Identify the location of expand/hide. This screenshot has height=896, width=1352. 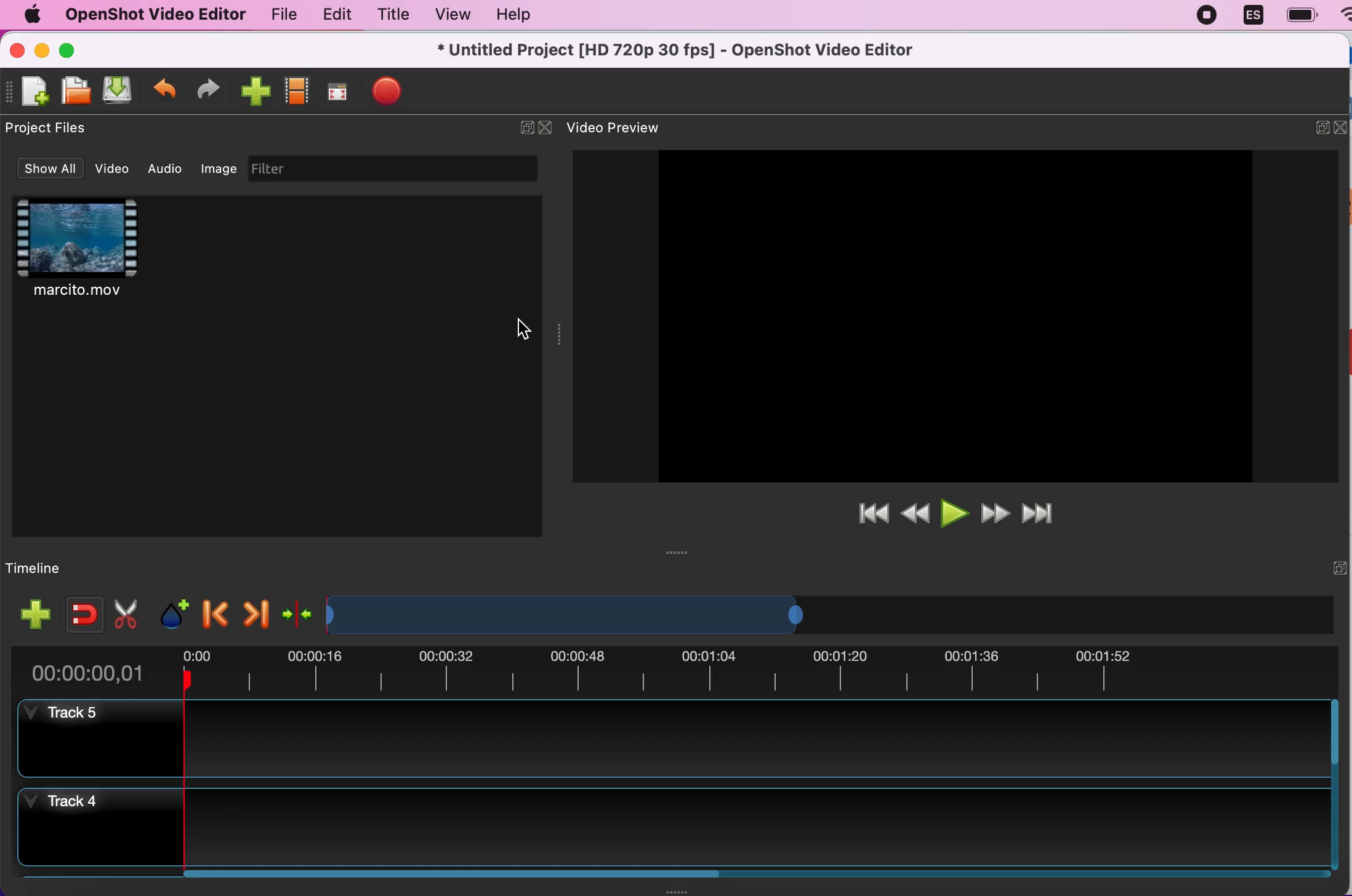
(523, 126).